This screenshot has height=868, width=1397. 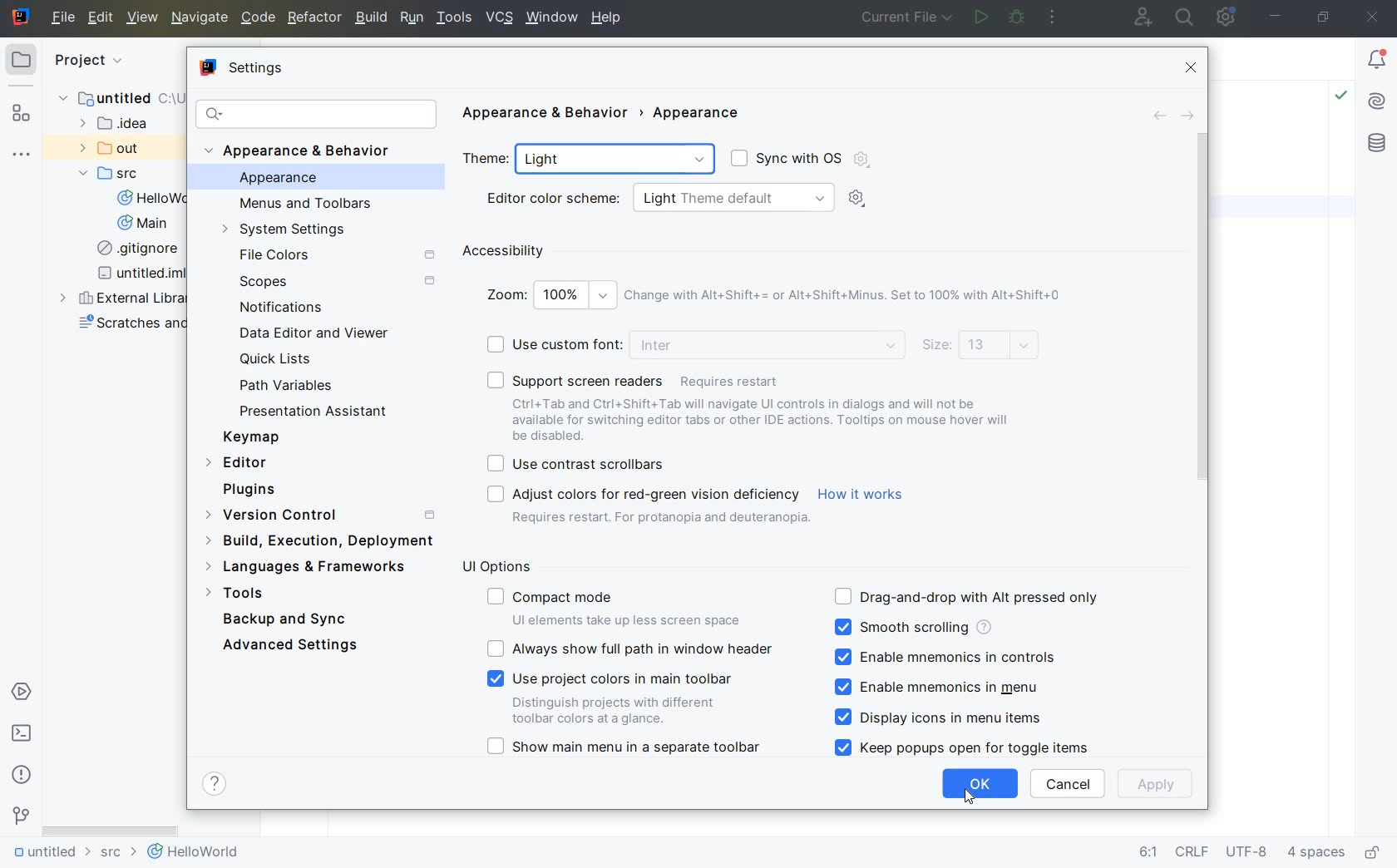 What do you see at coordinates (340, 254) in the screenshot?
I see `FILE COLORS` at bounding box center [340, 254].